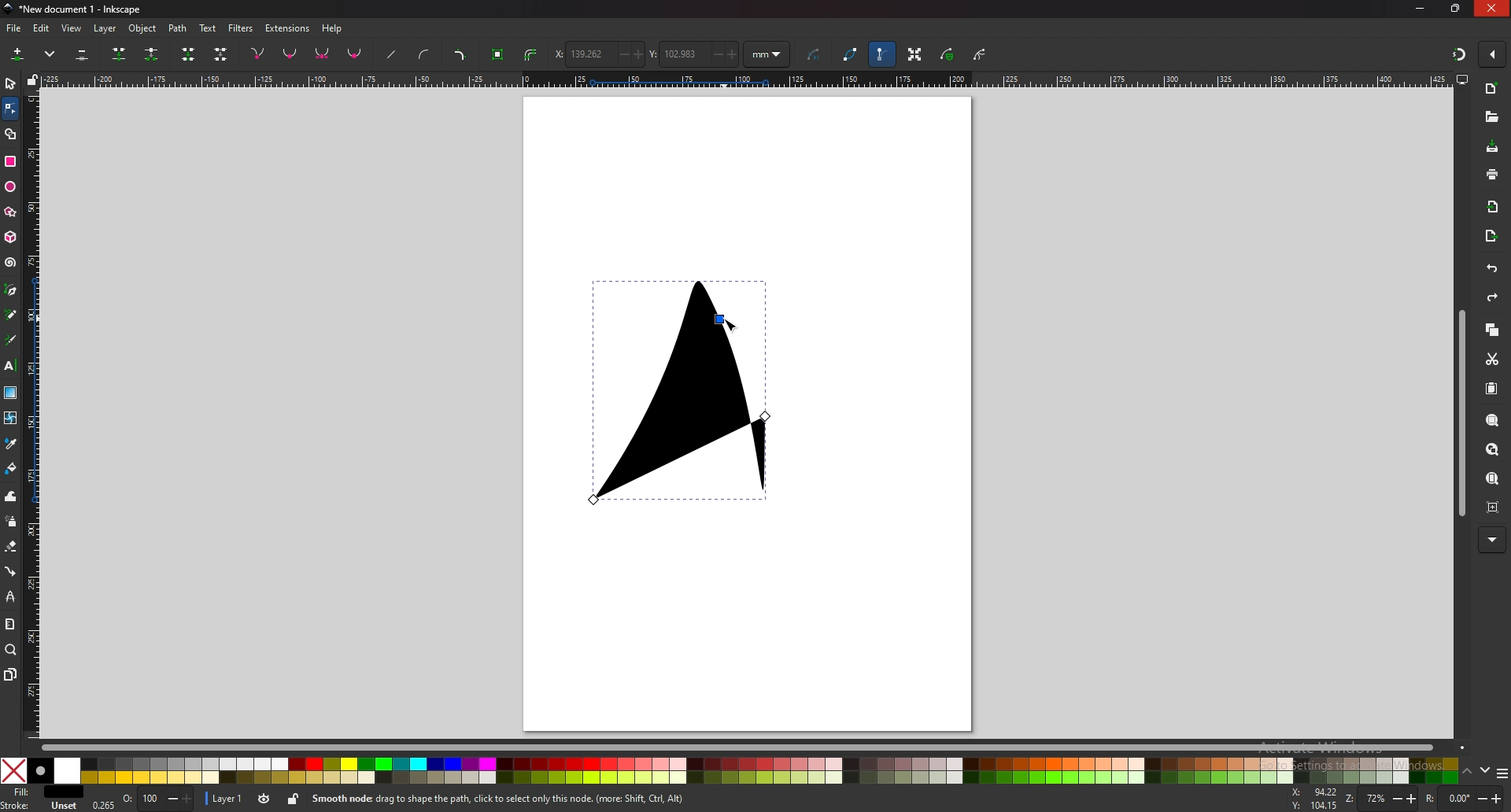 Image resolution: width=1511 pixels, height=812 pixels. What do you see at coordinates (12, 547) in the screenshot?
I see `eraser` at bounding box center [12, 547].